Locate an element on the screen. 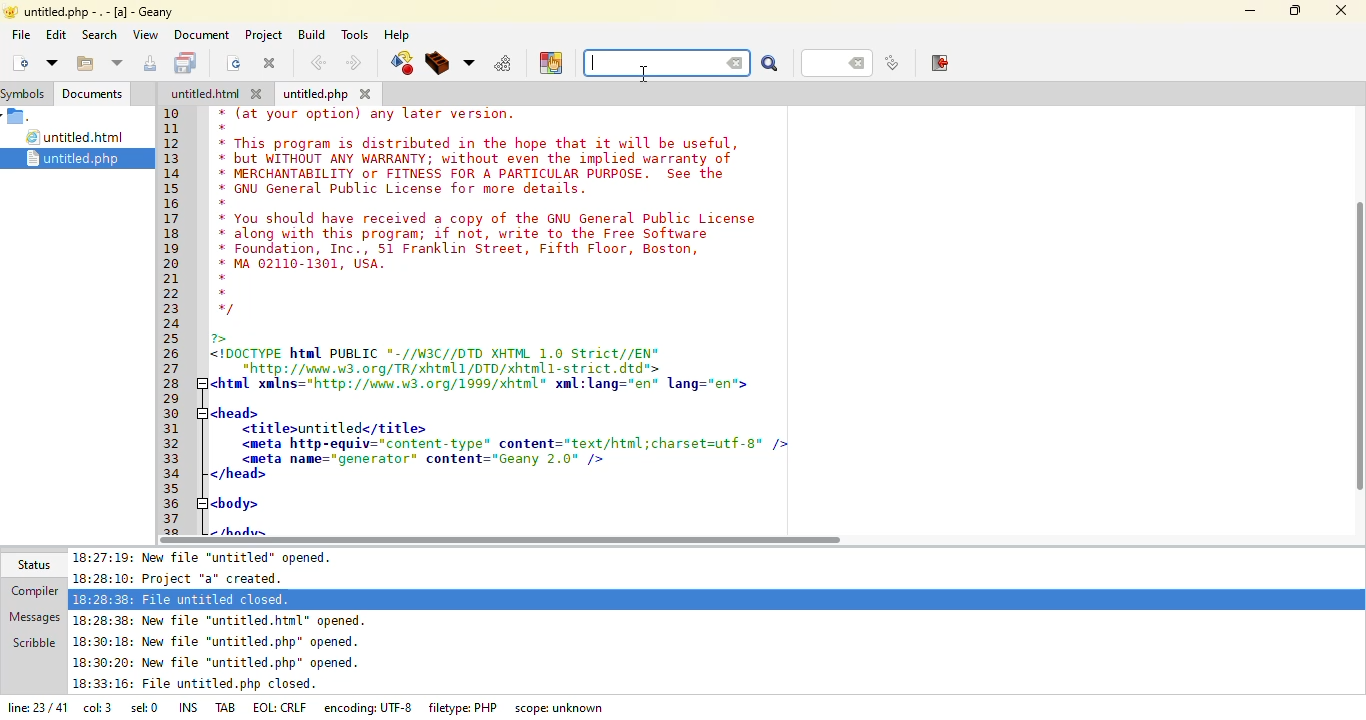 The height and width of the screenshot is (720, 1366). 18:30:18: new file "untitled.php" opened. is located at coordinates (217, 644).